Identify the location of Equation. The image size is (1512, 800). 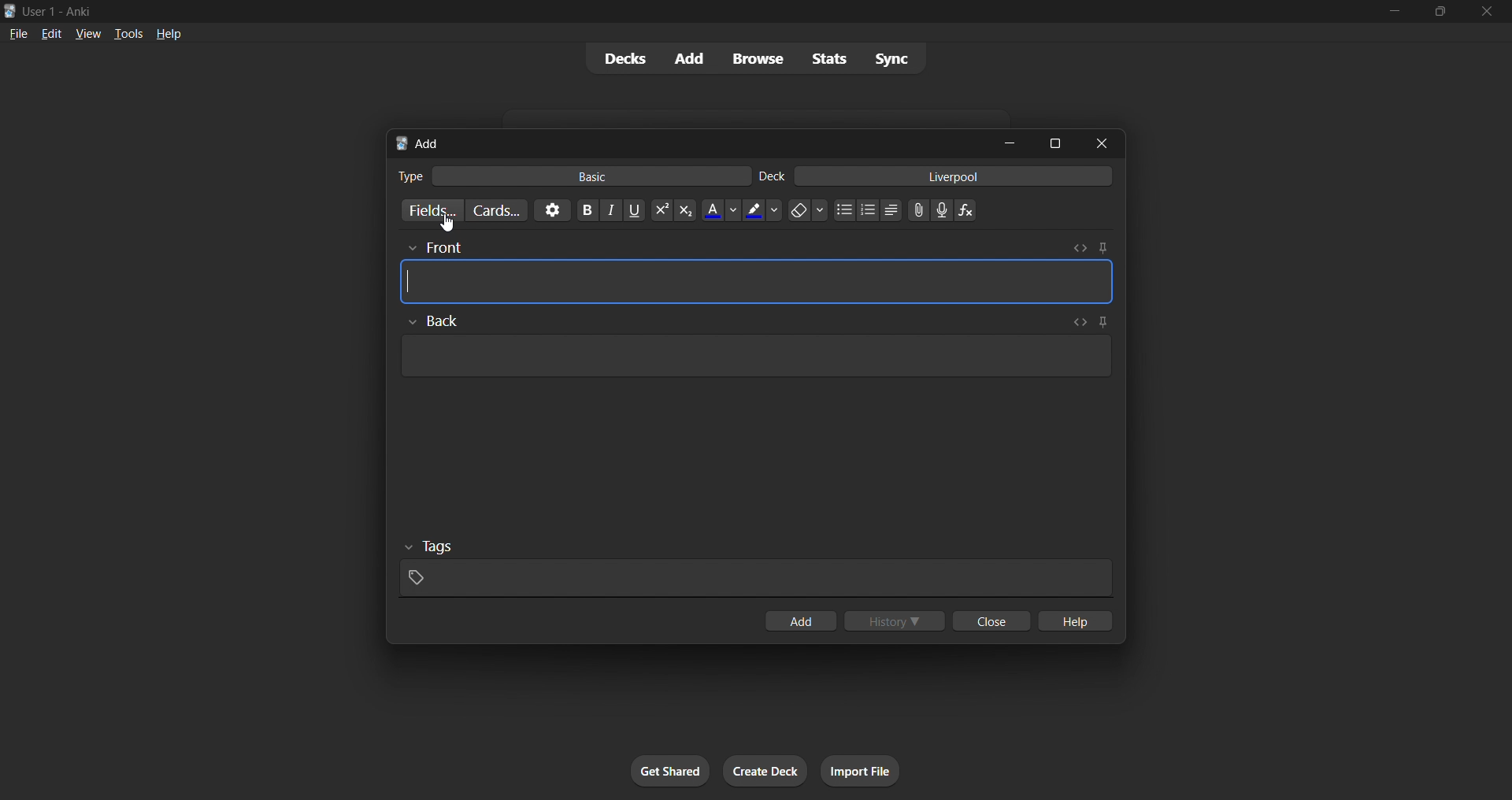
(965, 210).